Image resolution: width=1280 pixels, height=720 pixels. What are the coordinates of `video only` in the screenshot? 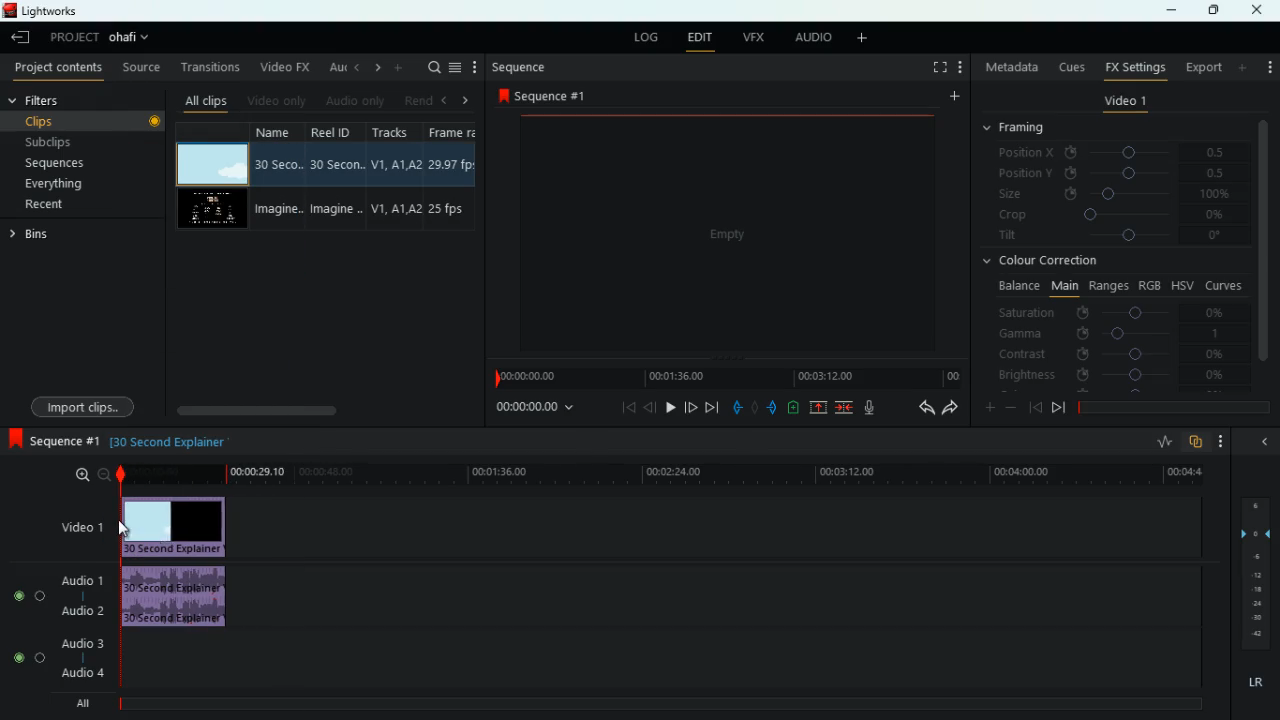 It's located at (275, 99).